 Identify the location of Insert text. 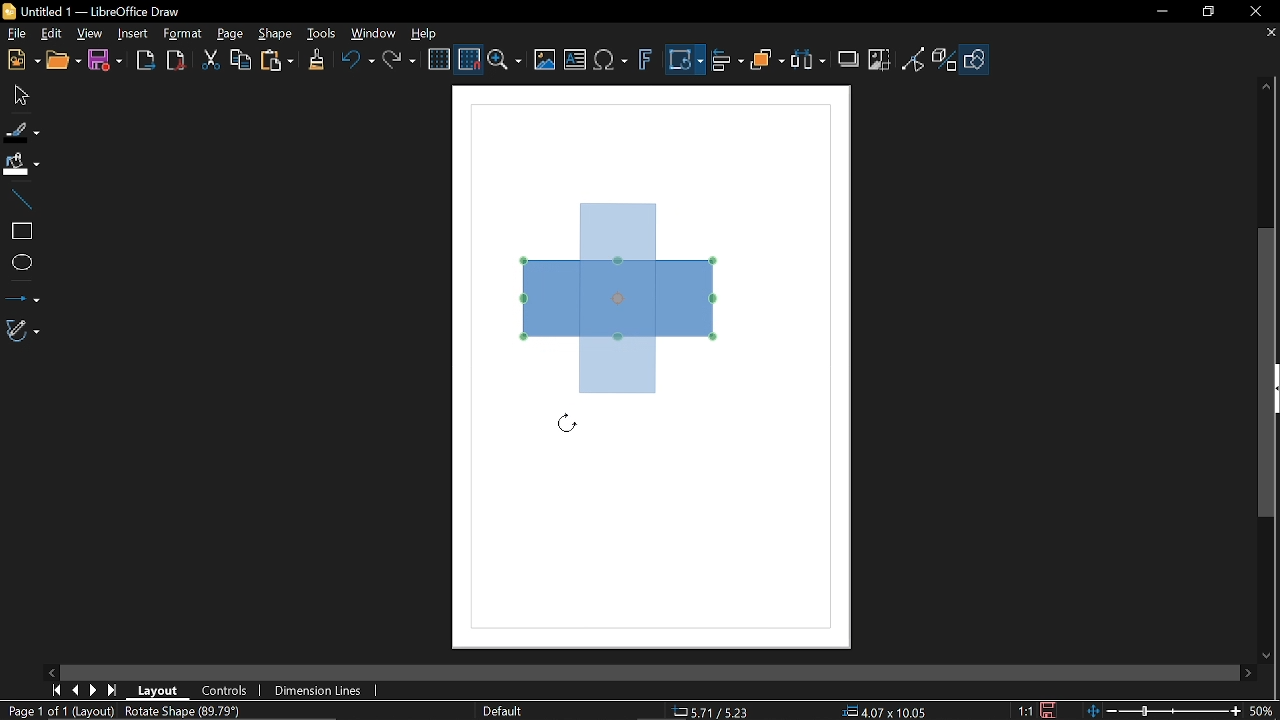
(576, 61).